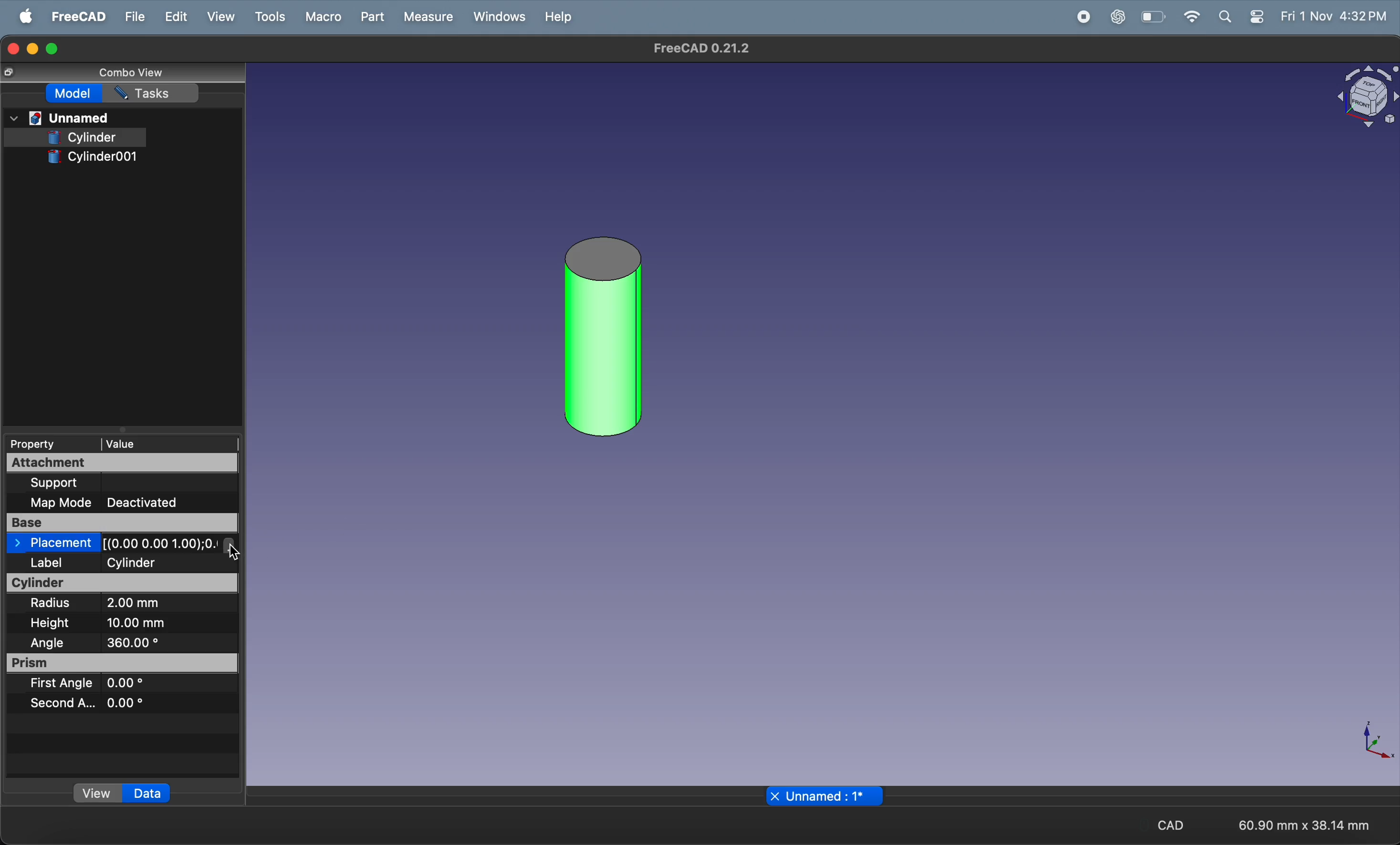 This screenshot has width=1400, height=845. I want to click on cylinder 001, so click(604, 337).